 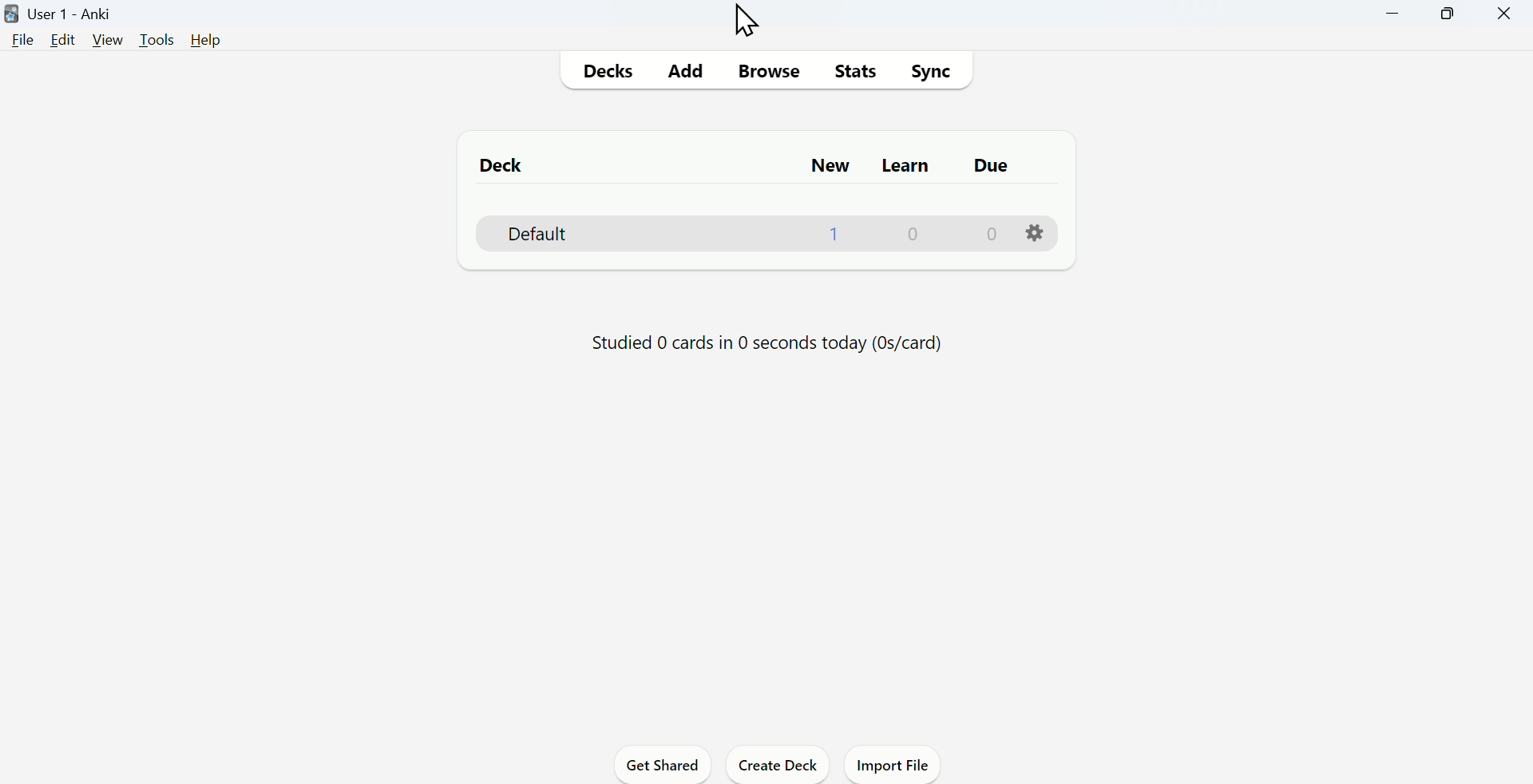 What do you see at coordinates (159, 38) in the screenshot?
I see `Tools` at bounding box center [159, 38].